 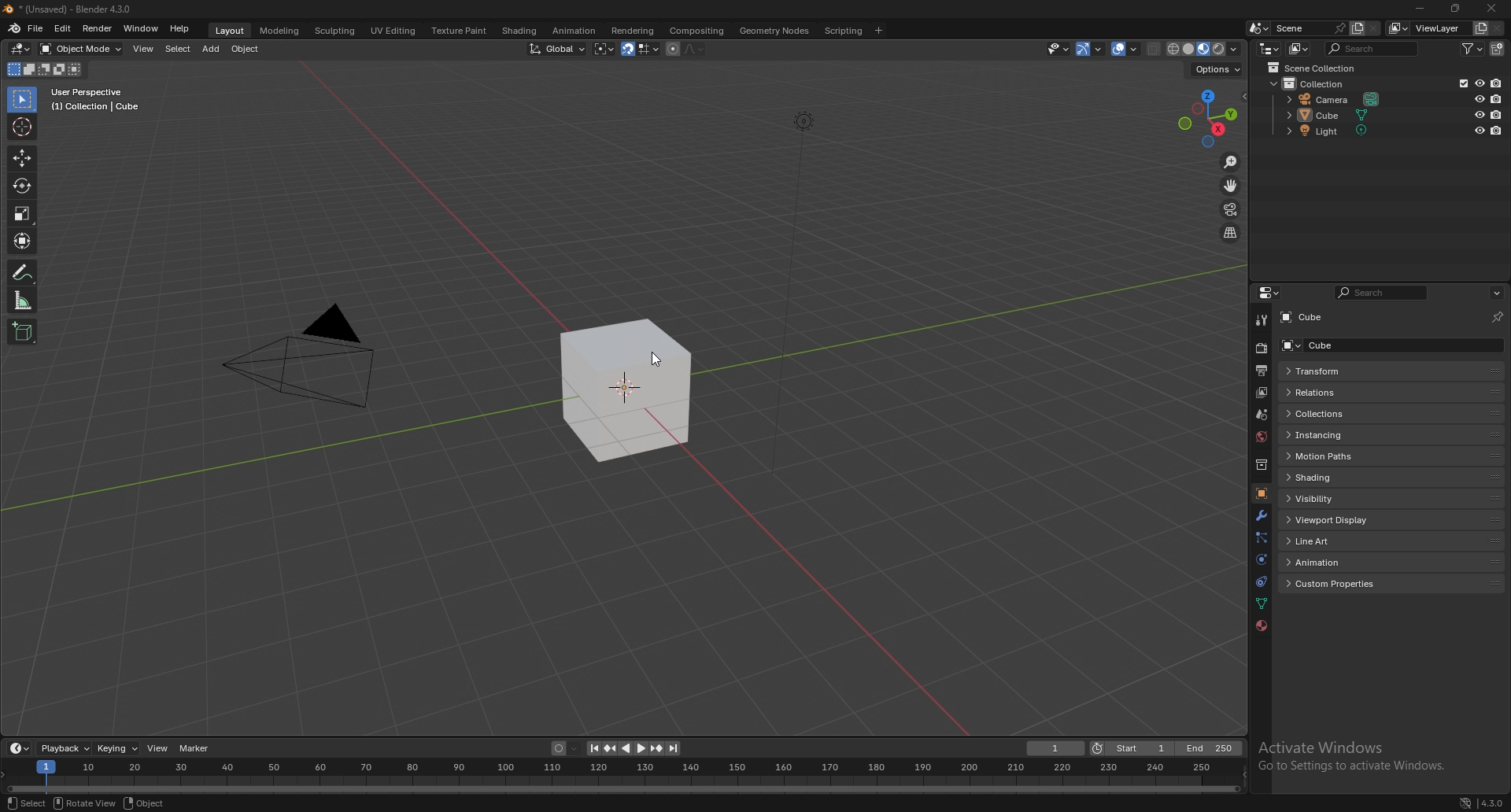 I want to click on animation, so click(x=573, y=31).